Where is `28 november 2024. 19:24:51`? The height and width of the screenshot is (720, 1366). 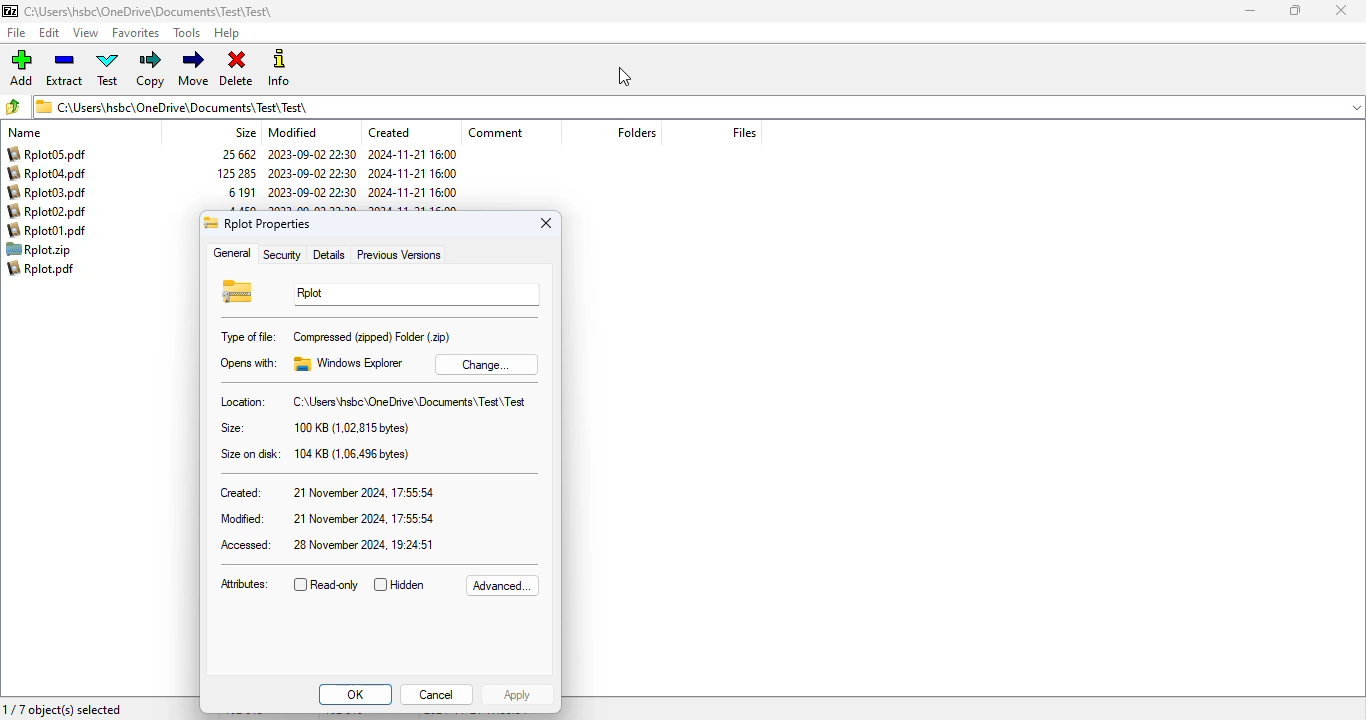 28 november 2024. 19:24:51 is located at coordinates (363, 544).